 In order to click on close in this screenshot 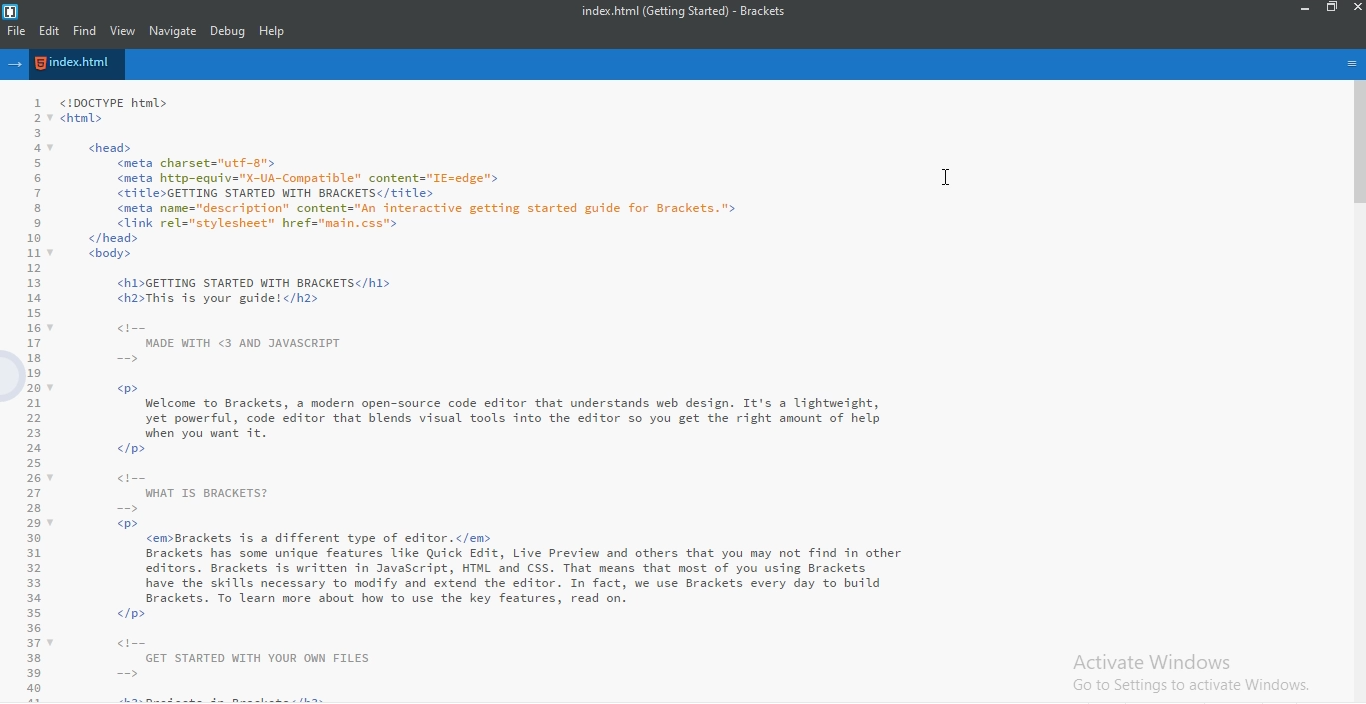, I will do `click(1357, 7)`.